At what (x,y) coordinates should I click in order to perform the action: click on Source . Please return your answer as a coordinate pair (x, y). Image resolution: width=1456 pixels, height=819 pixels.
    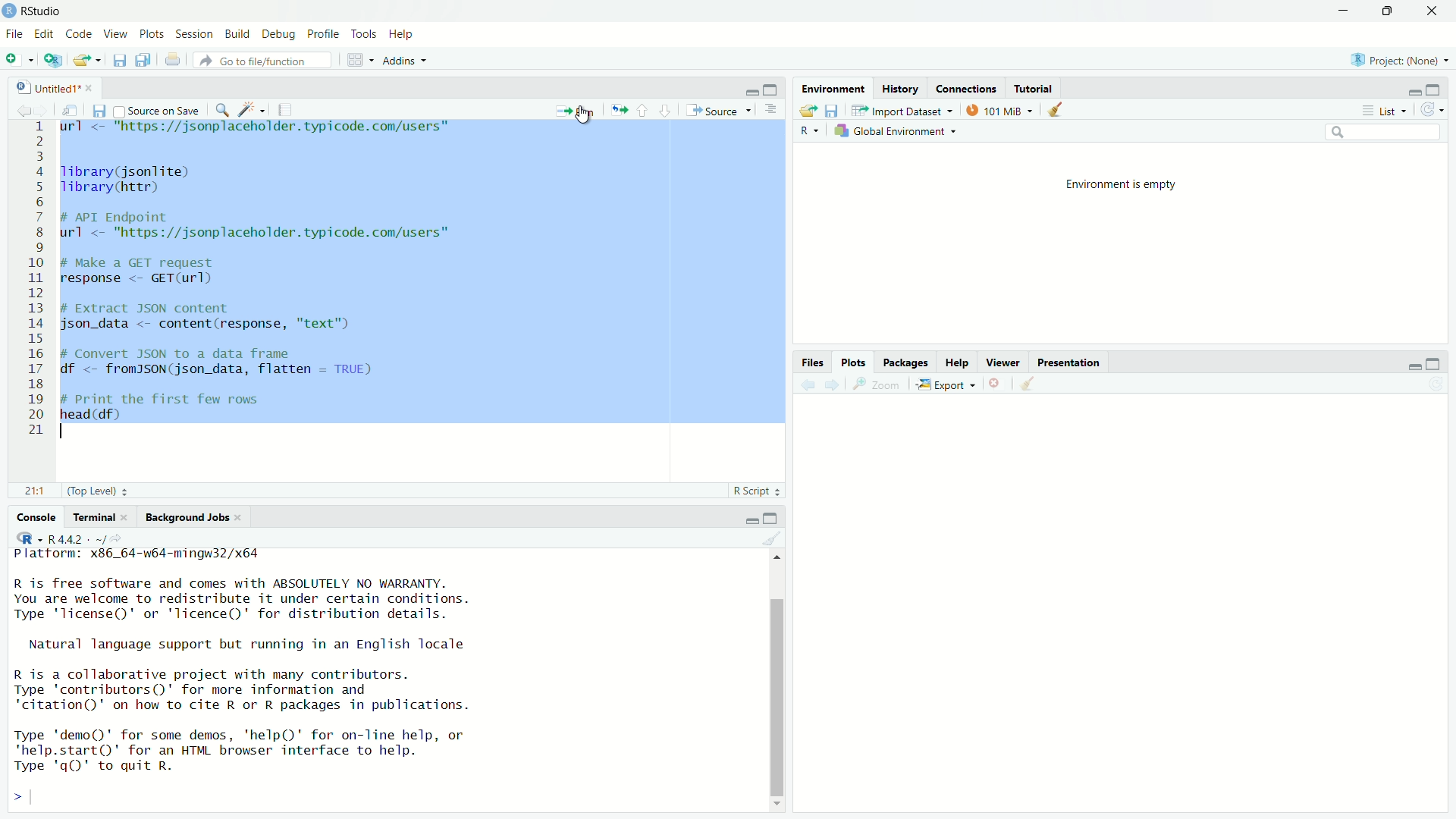
    Looking at the image, I should click on (719, 111).